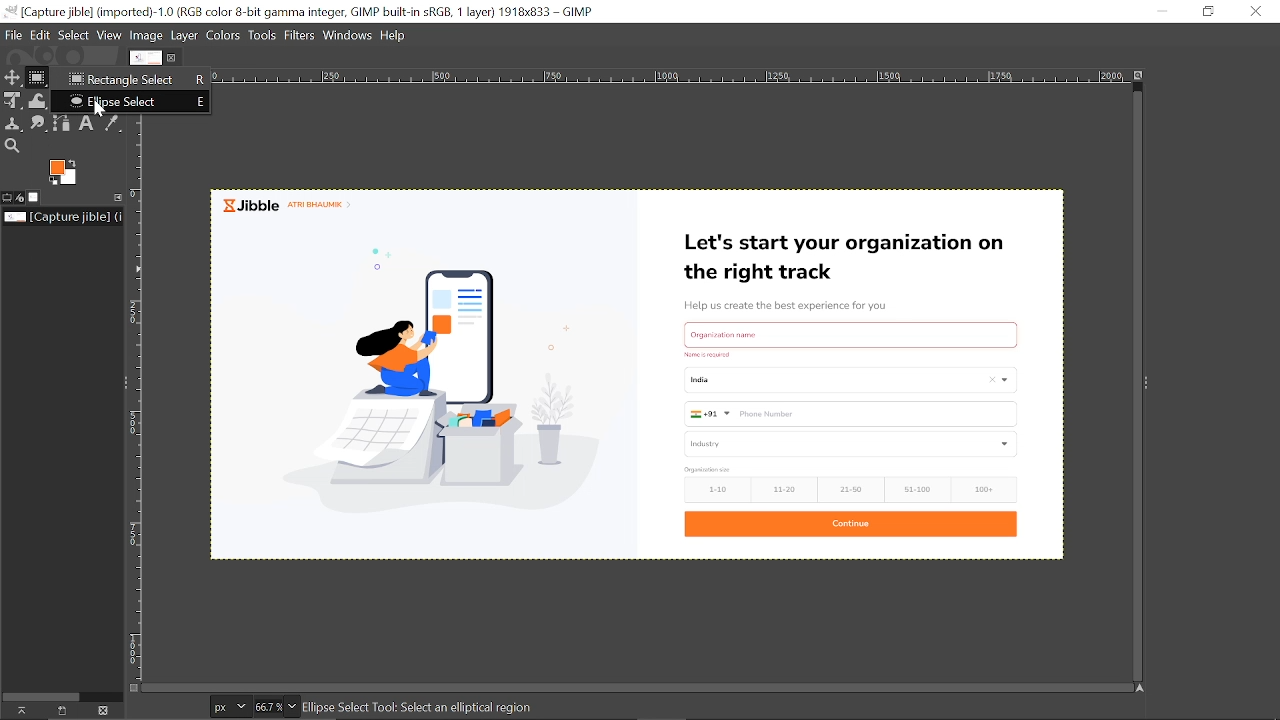 The width and height of the screenshot is (1280, 720). Describe the element at coordinates (115, 112) in the screenshot. I see `cursor` at that location.